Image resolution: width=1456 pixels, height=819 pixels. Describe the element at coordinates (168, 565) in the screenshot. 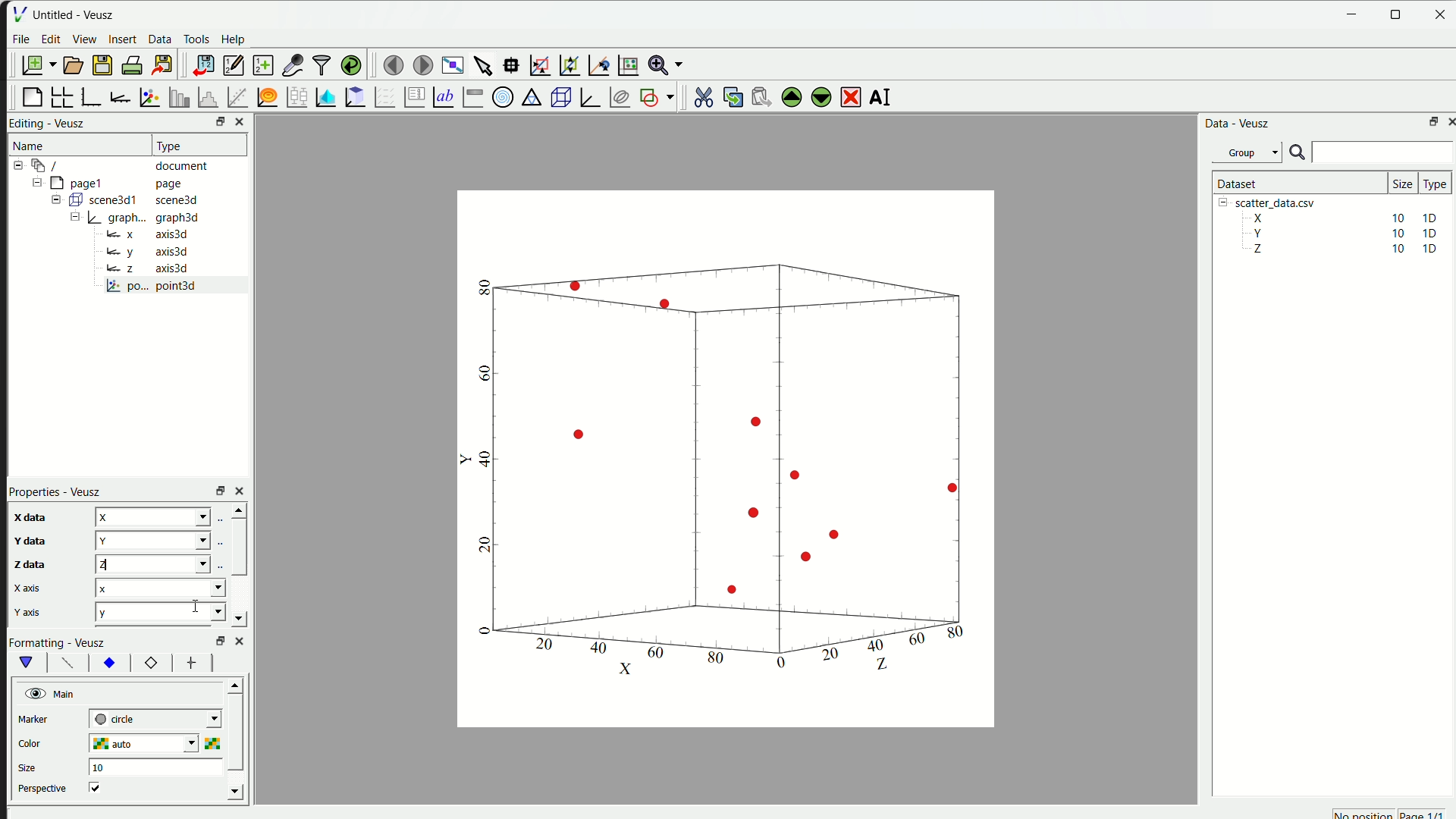

I see `z` at that location.